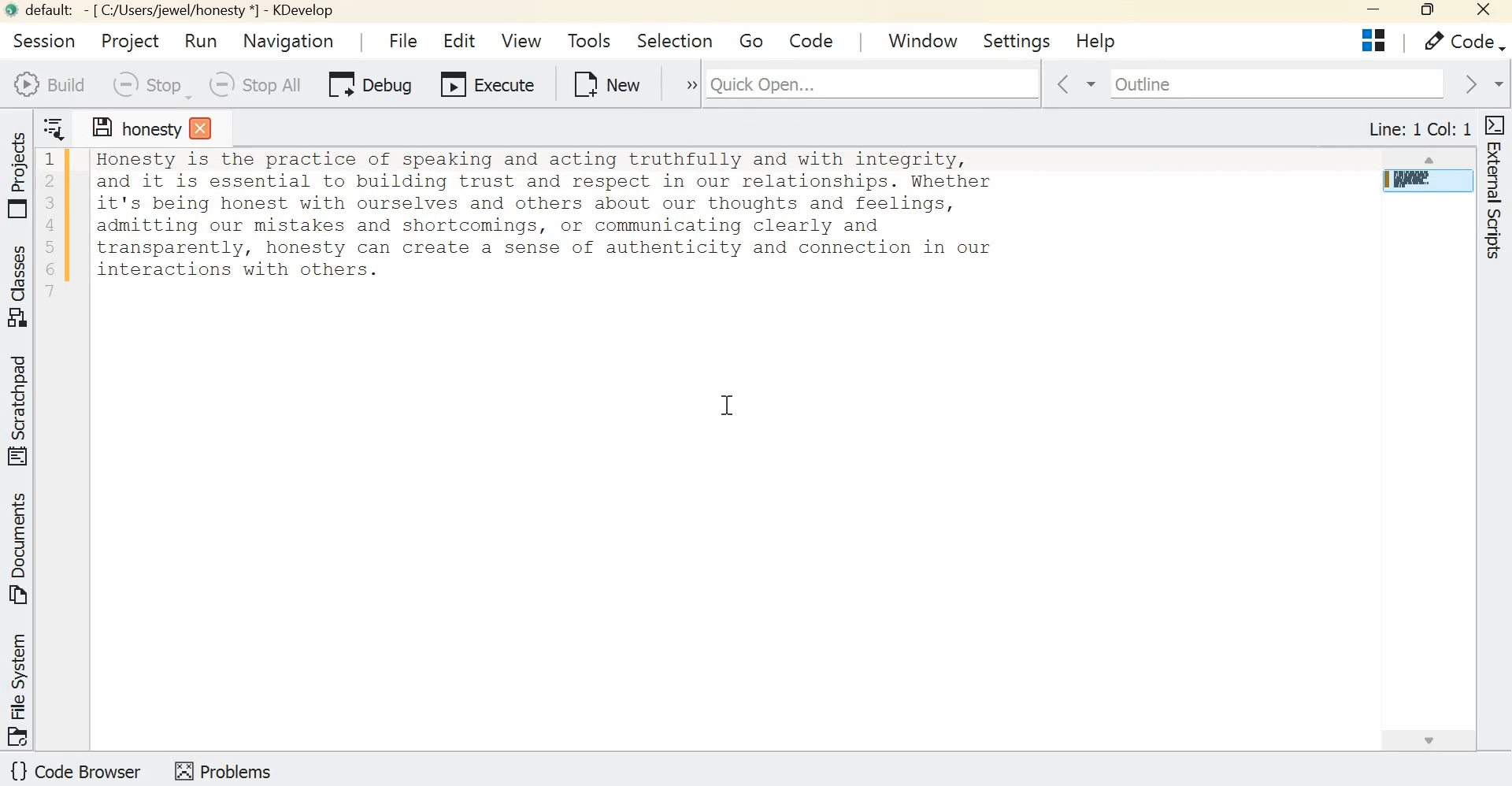 The image size is (1512, 786). Describe the element at coordinates (253, 85) in the screenshot. I see `Stop all currently running jobs` at that location.